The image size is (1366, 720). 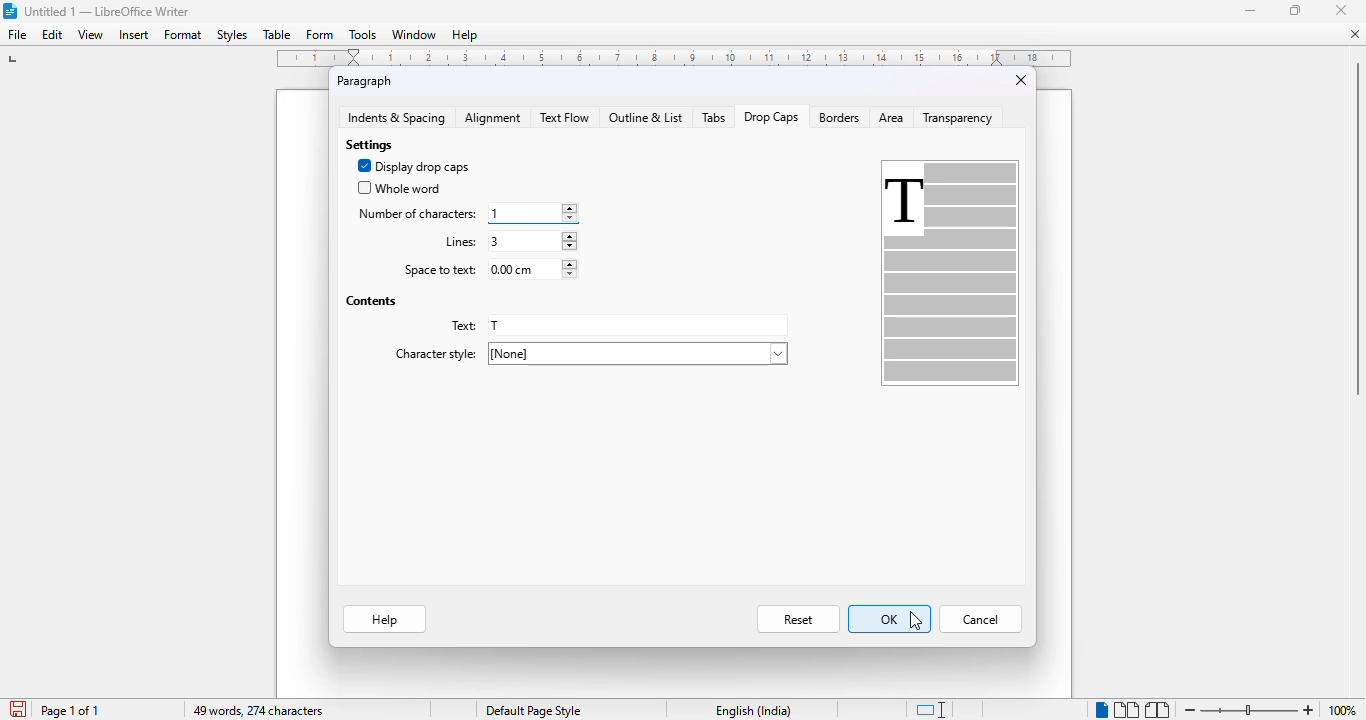 I want to click on maximize, so click(x=1297, y=10).